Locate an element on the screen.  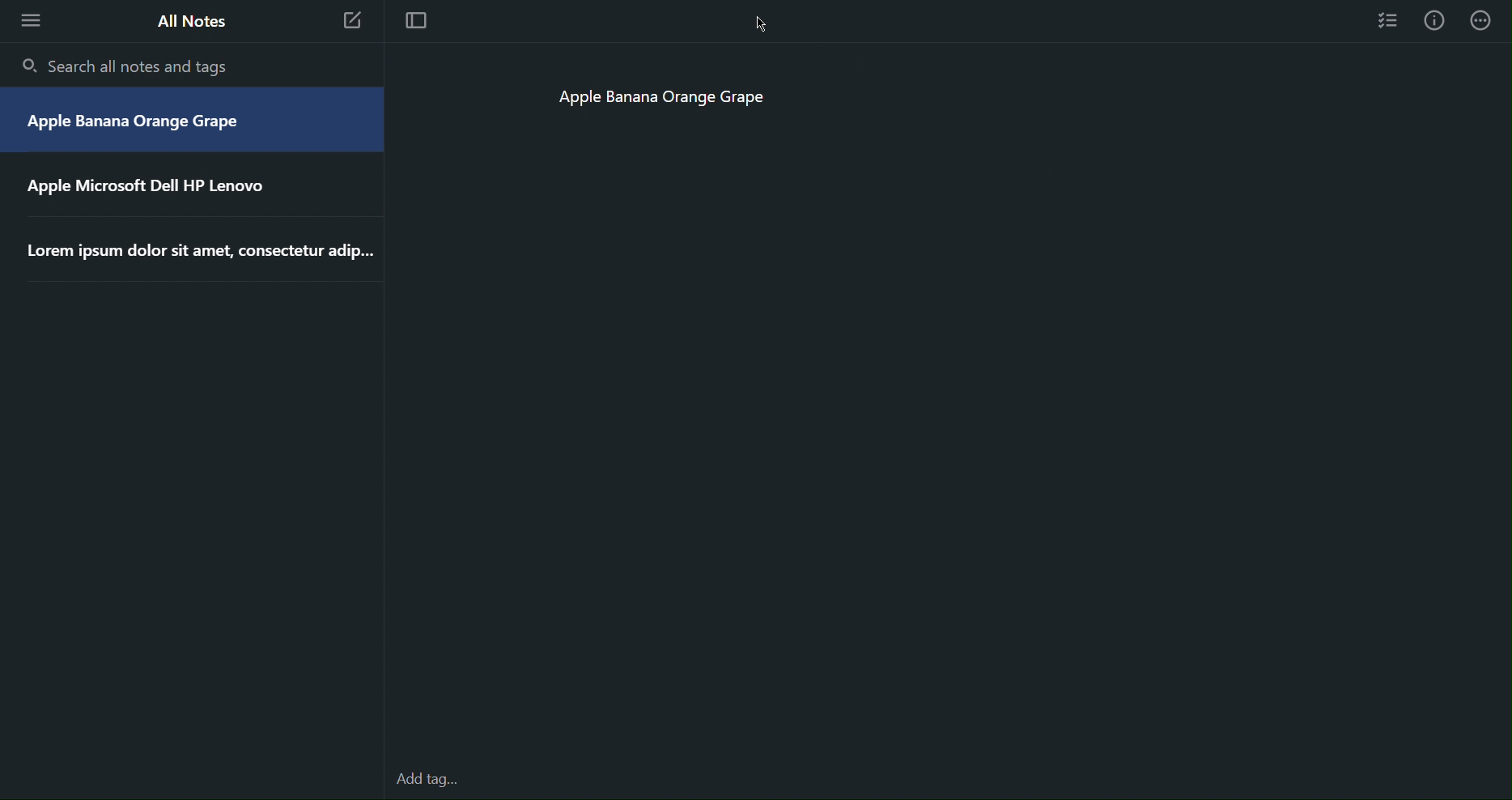
New Note is located at coordinates (353, 23).